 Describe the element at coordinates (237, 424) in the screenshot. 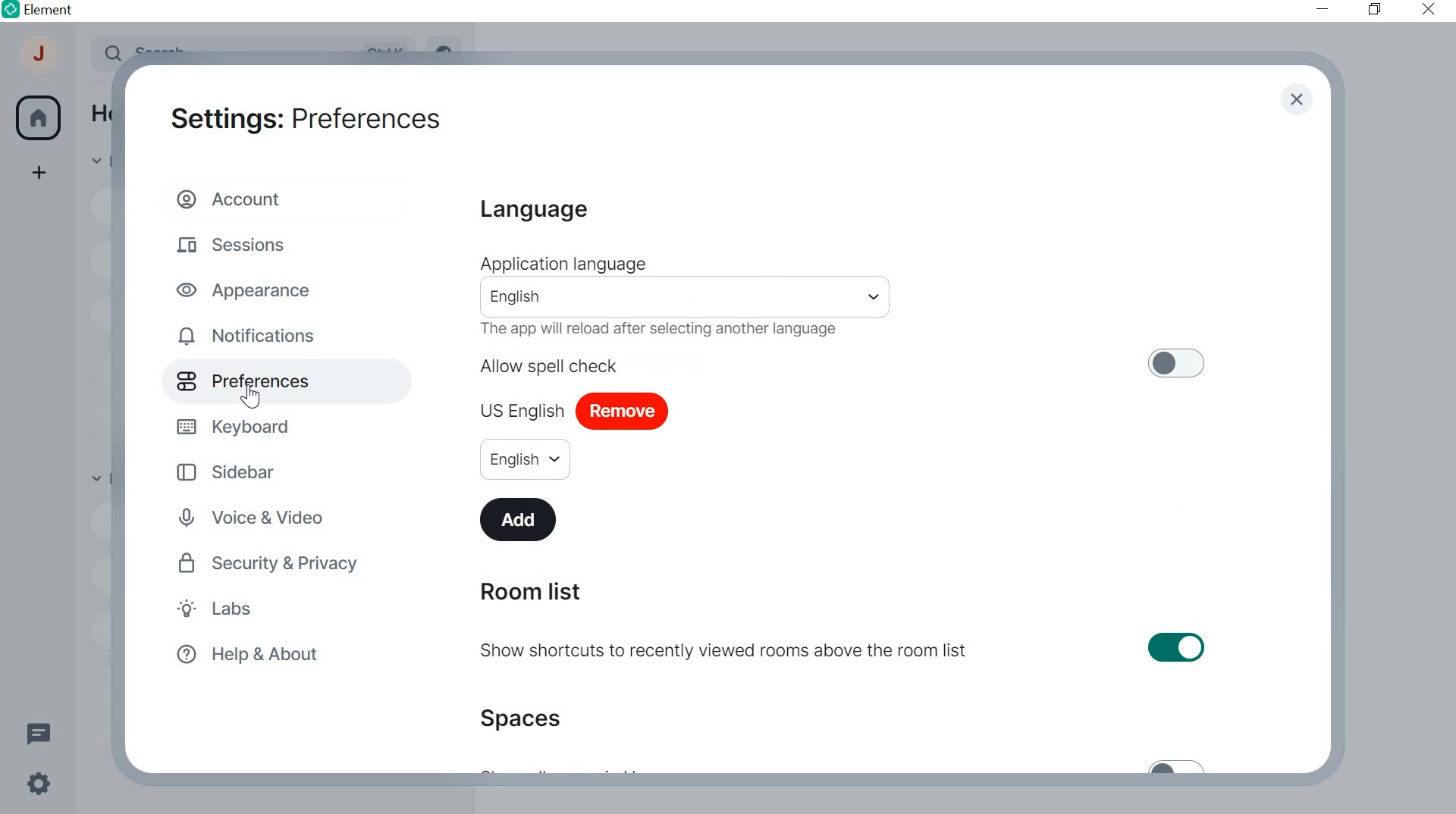

I see `KEYBOARD` at that location.